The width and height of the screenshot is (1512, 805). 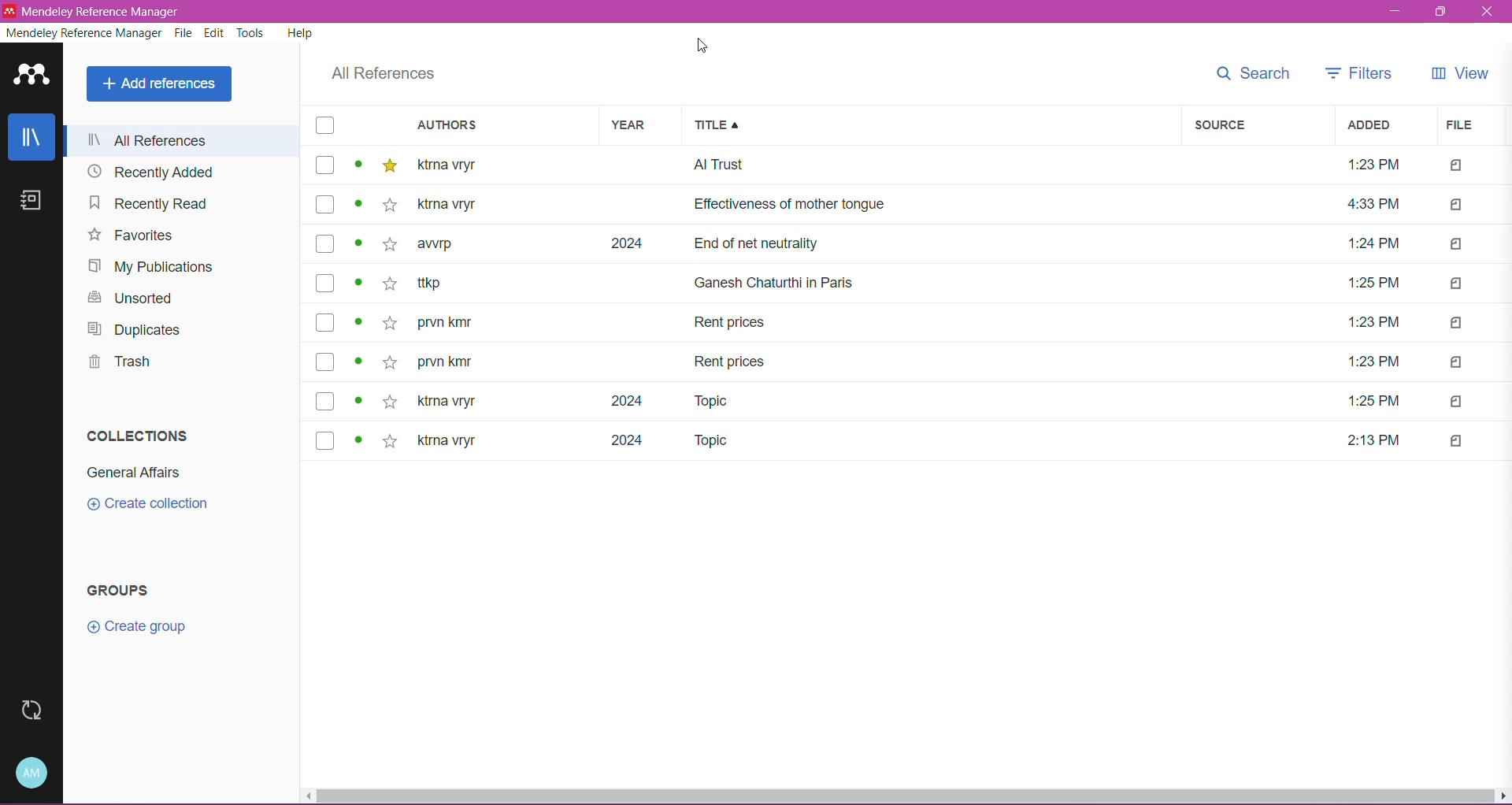 What do you see at coordinates (116, 589) in the screenshot?
I see `Groups` at bounding box center [116, 589].